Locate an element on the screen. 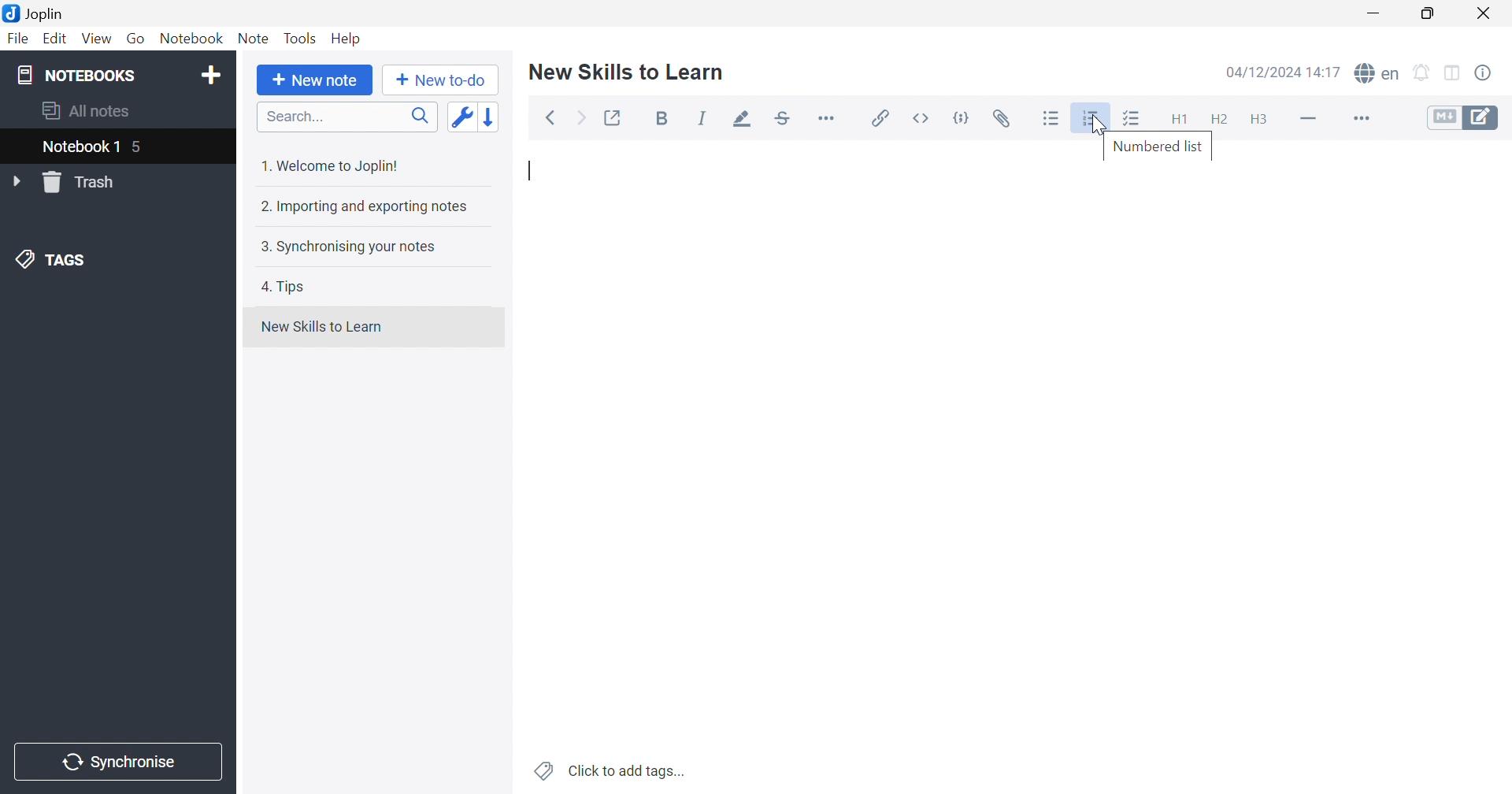  Checkbox list is located at coordinates (1130, 120).